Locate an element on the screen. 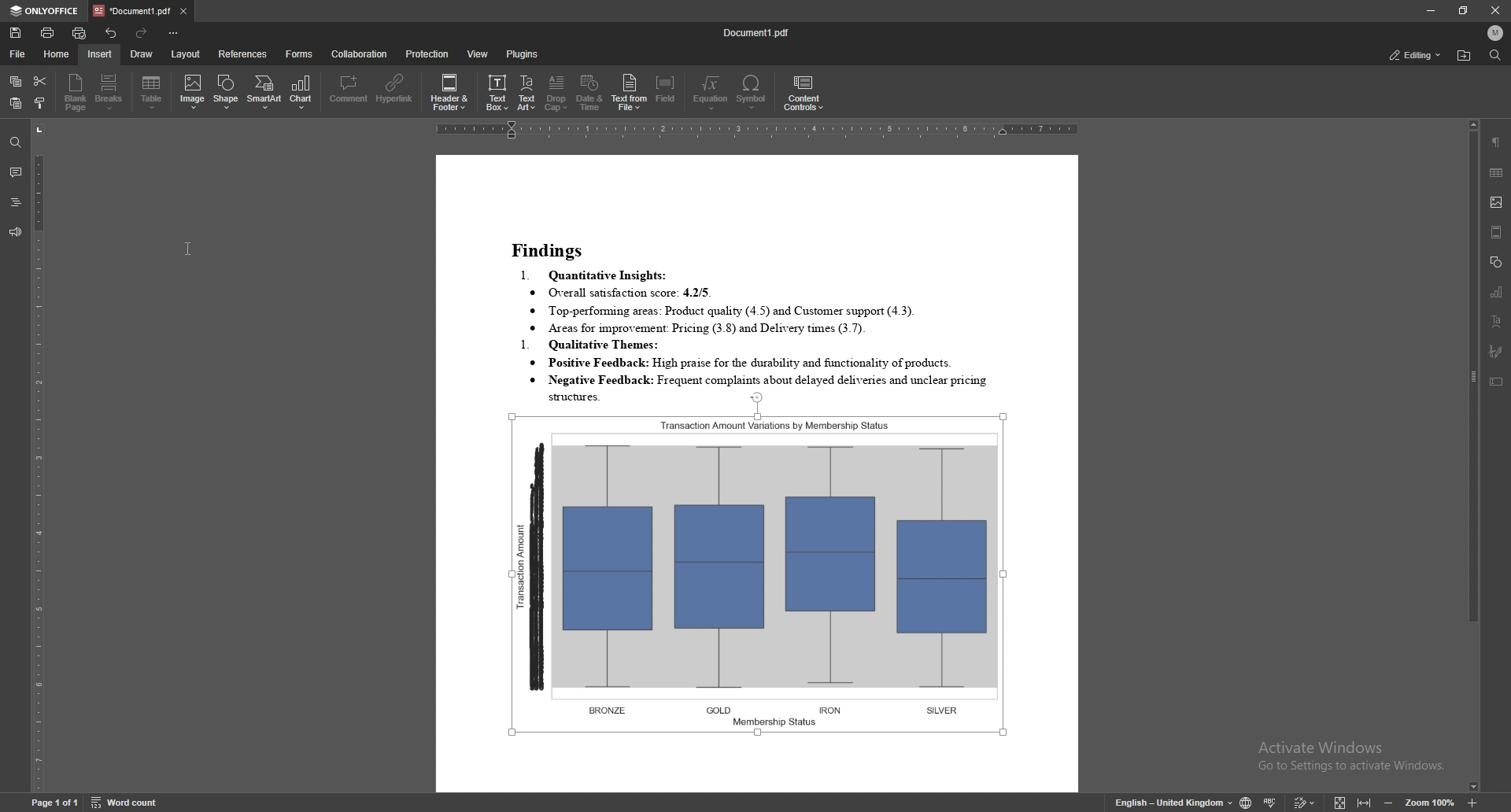  image is located at coordinates (1498, 202).